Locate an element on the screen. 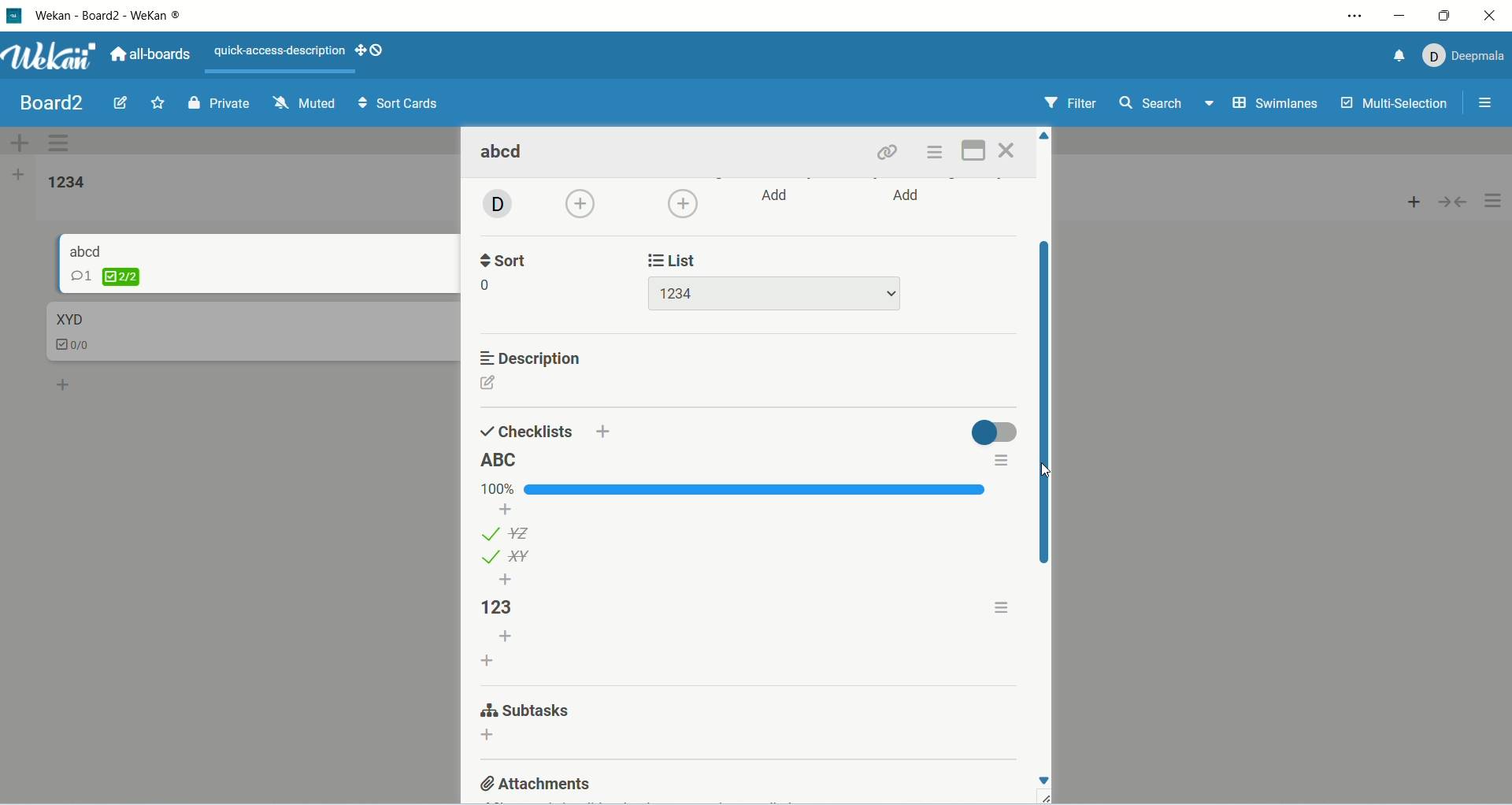 The width and height of the screenshot is (1512, 805). add is located at coordinates (506, 580).